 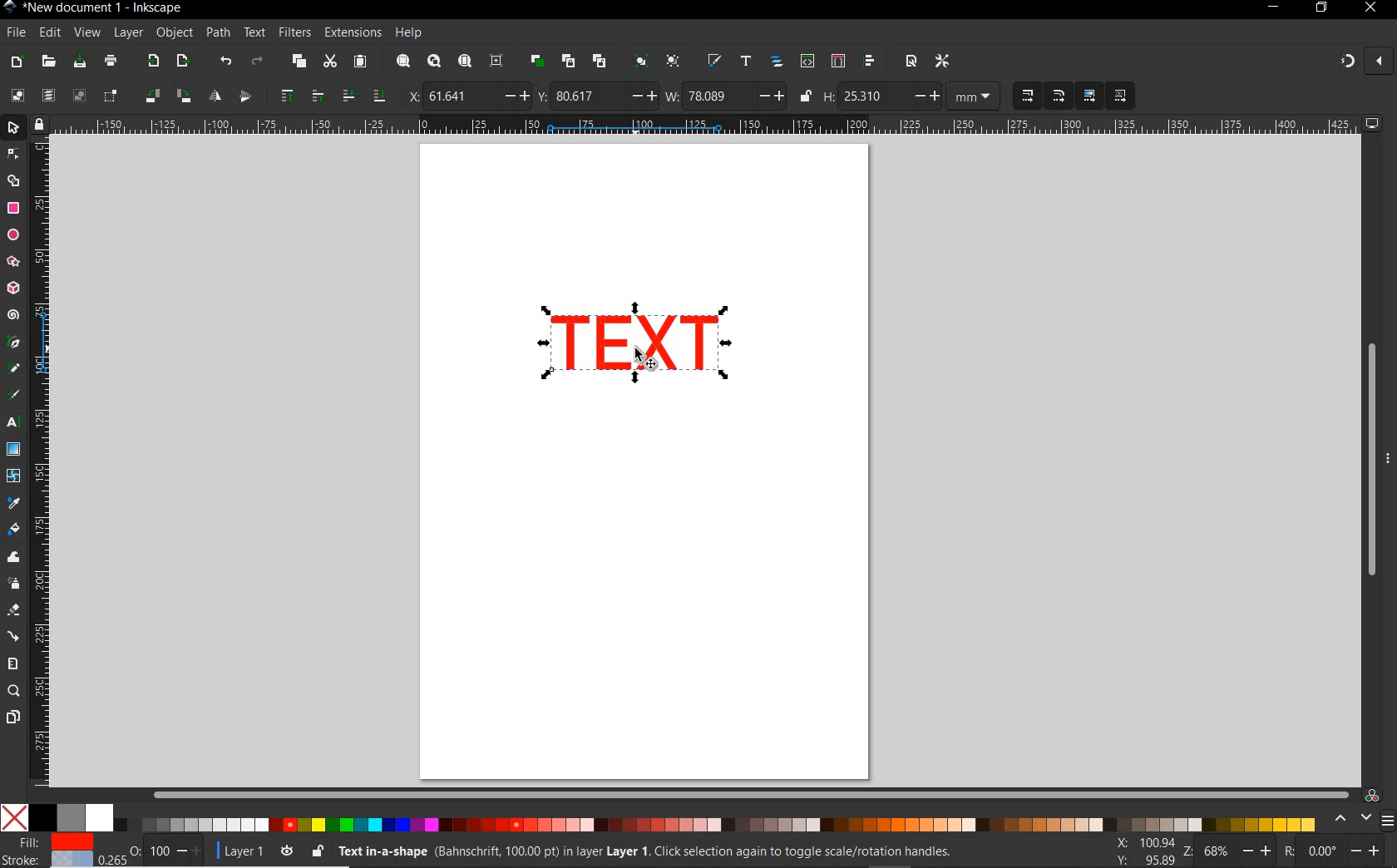 I want to click on zoom page, so click(x=464, y=61).